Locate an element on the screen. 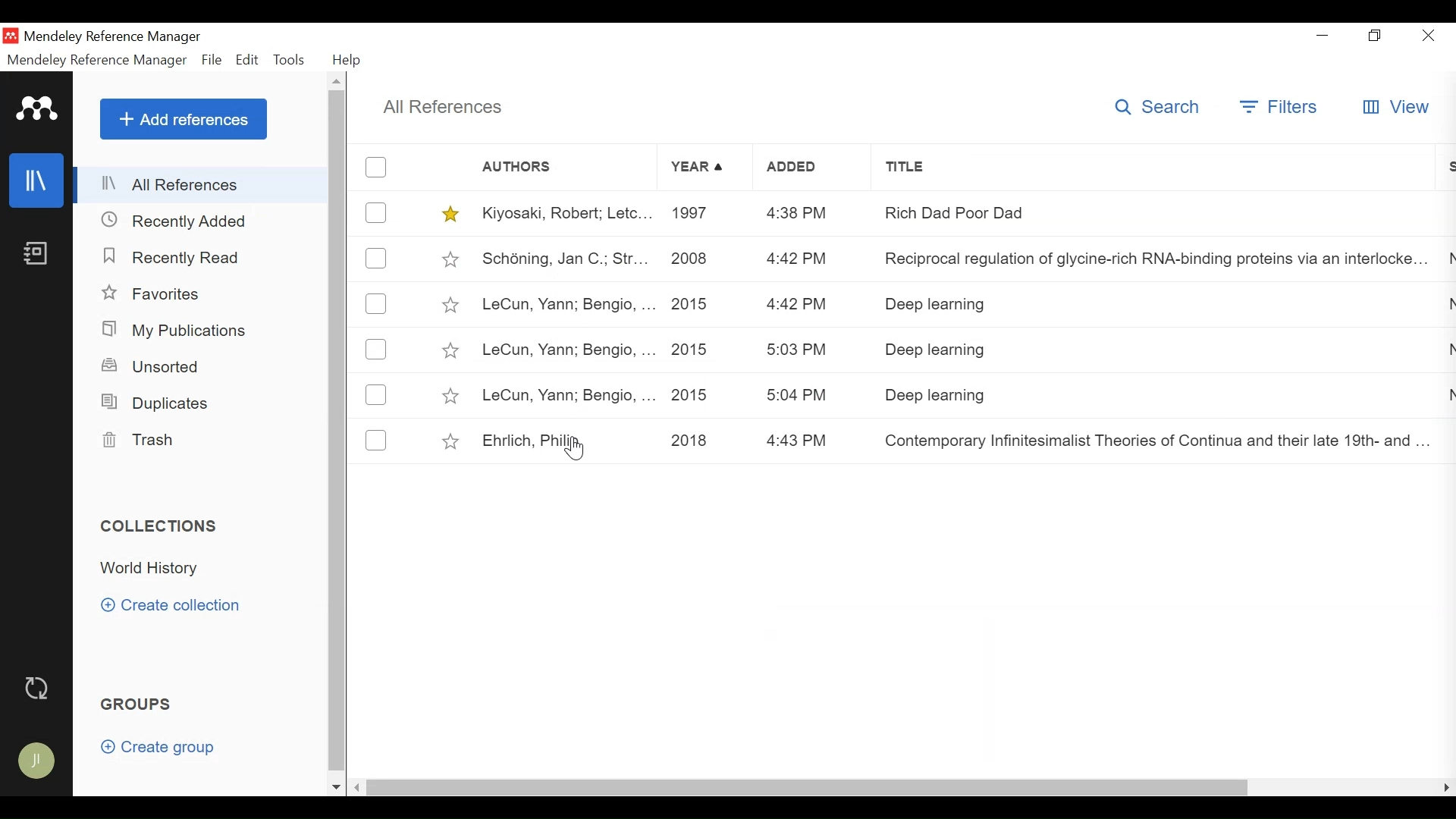 The width and height of the screenshot is (1456, 819). Mendeley Reference Manager is located at coordinates (113, 38).